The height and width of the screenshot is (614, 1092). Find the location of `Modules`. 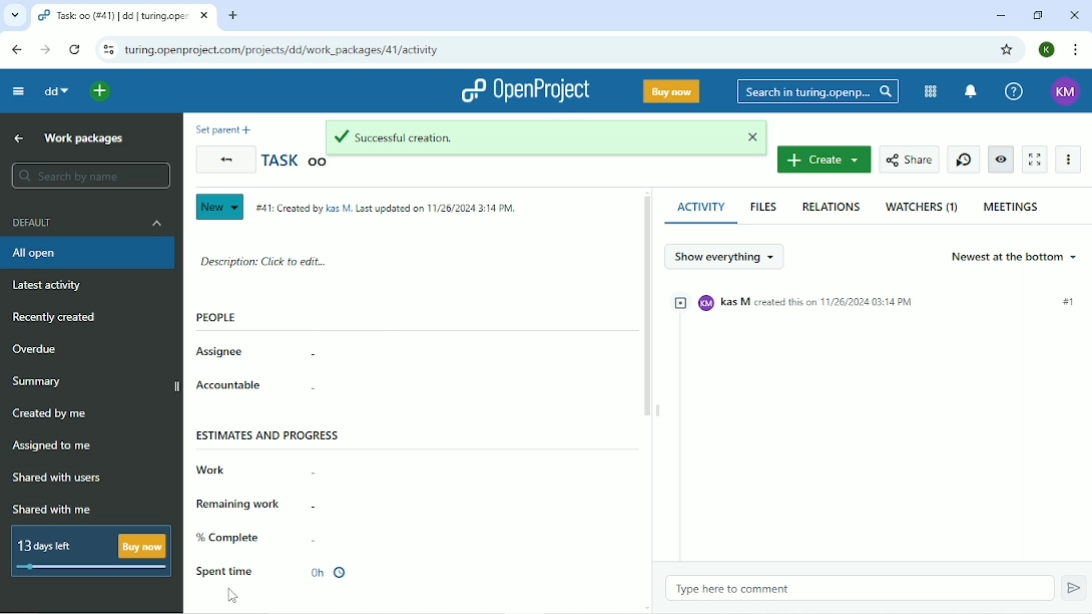

Modules is located at coordinates (929, 91).